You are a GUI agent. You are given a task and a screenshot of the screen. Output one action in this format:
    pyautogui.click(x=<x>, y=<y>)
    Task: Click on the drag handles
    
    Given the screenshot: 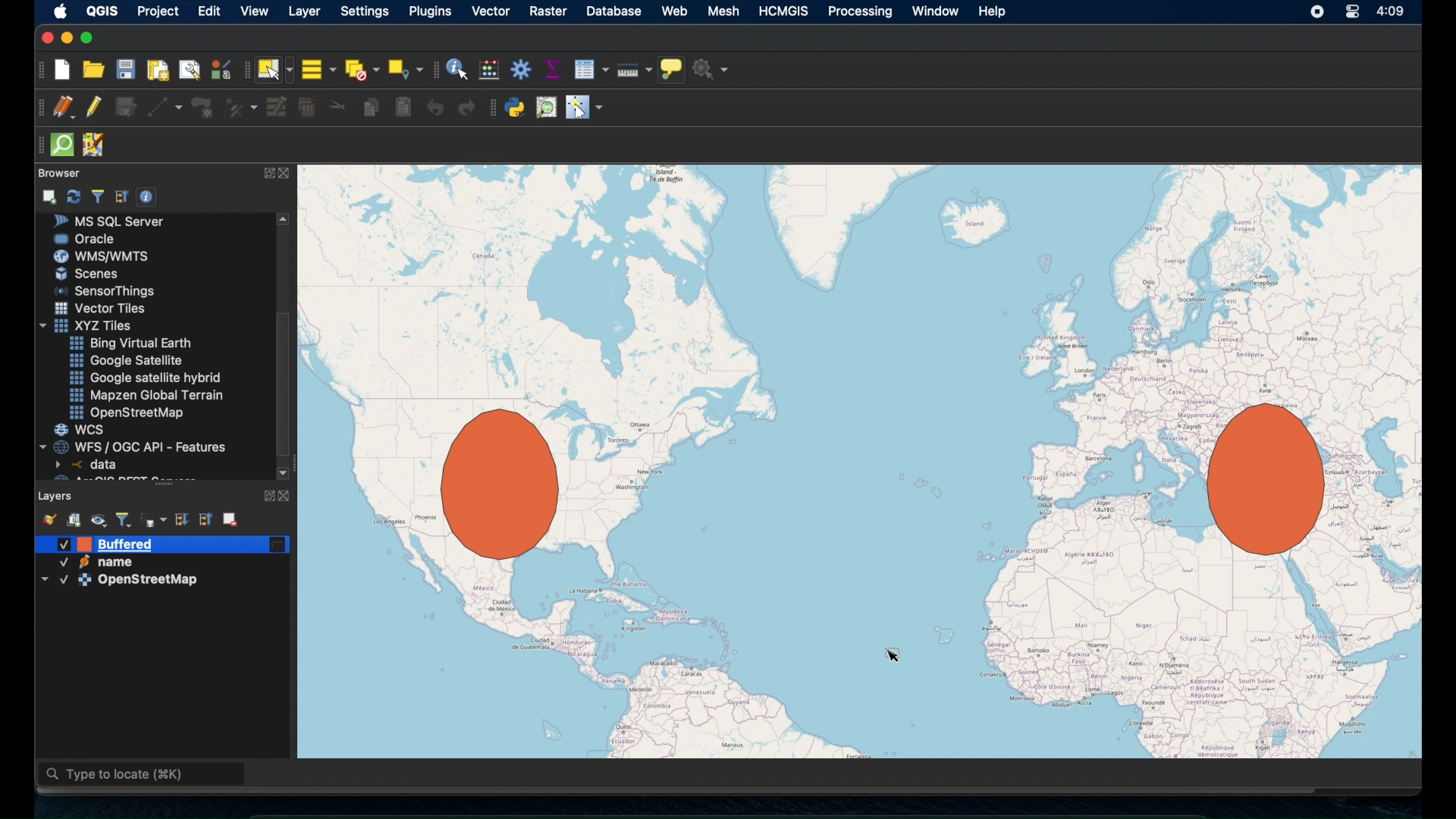 What is the action you would take?
    pyautogui.click(x=37, y=143)
    